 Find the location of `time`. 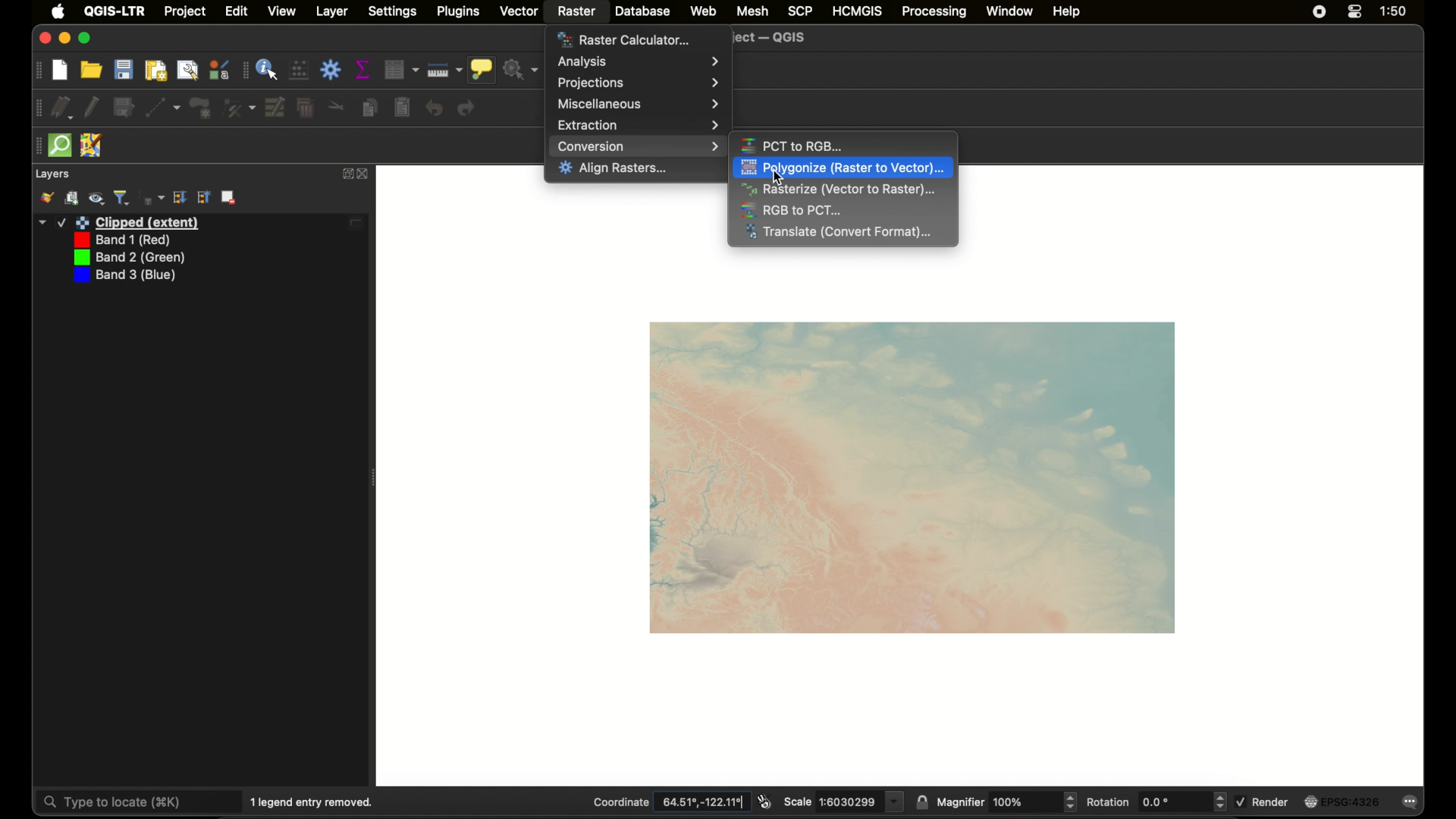

time is located at coordinates (1393, 11).